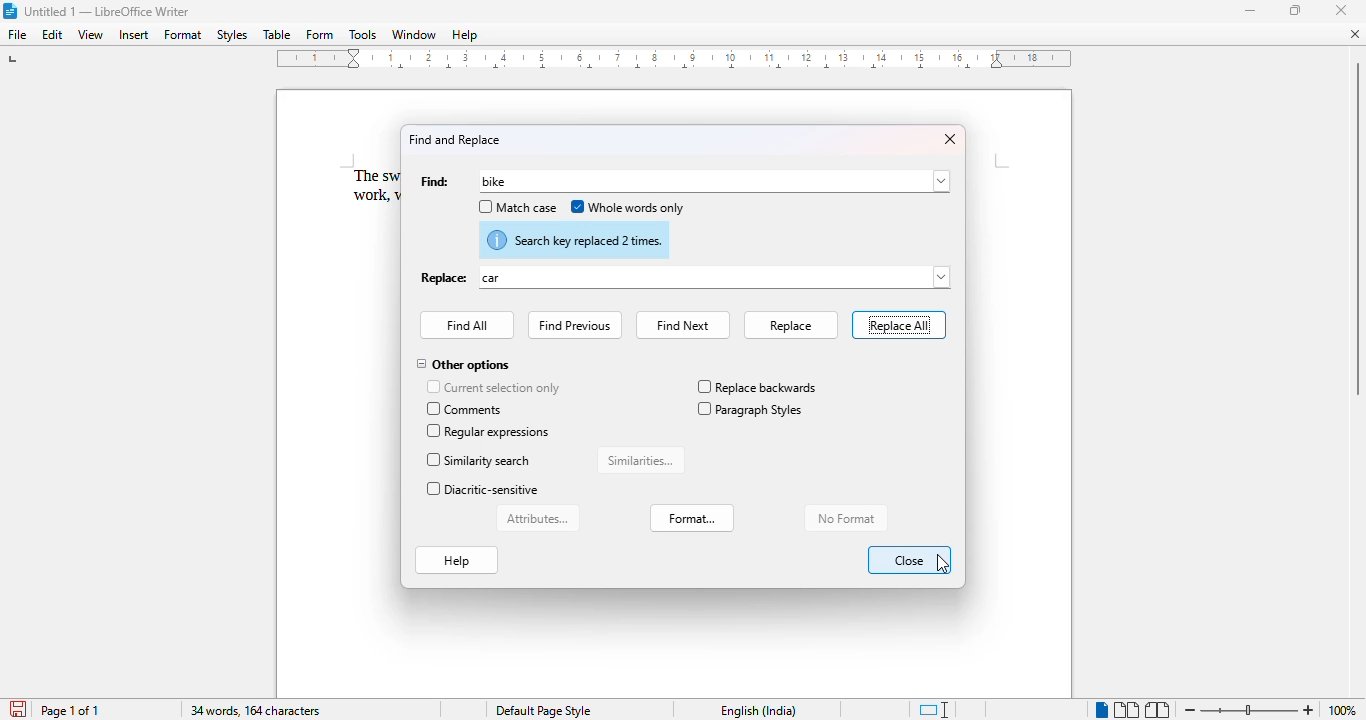 The width and height of the screenshot is (1366, 720). What do you see at coordinates (9, 10) in the screenshot?
I see `LibreOffice logo` at bounding box center [9, 10].